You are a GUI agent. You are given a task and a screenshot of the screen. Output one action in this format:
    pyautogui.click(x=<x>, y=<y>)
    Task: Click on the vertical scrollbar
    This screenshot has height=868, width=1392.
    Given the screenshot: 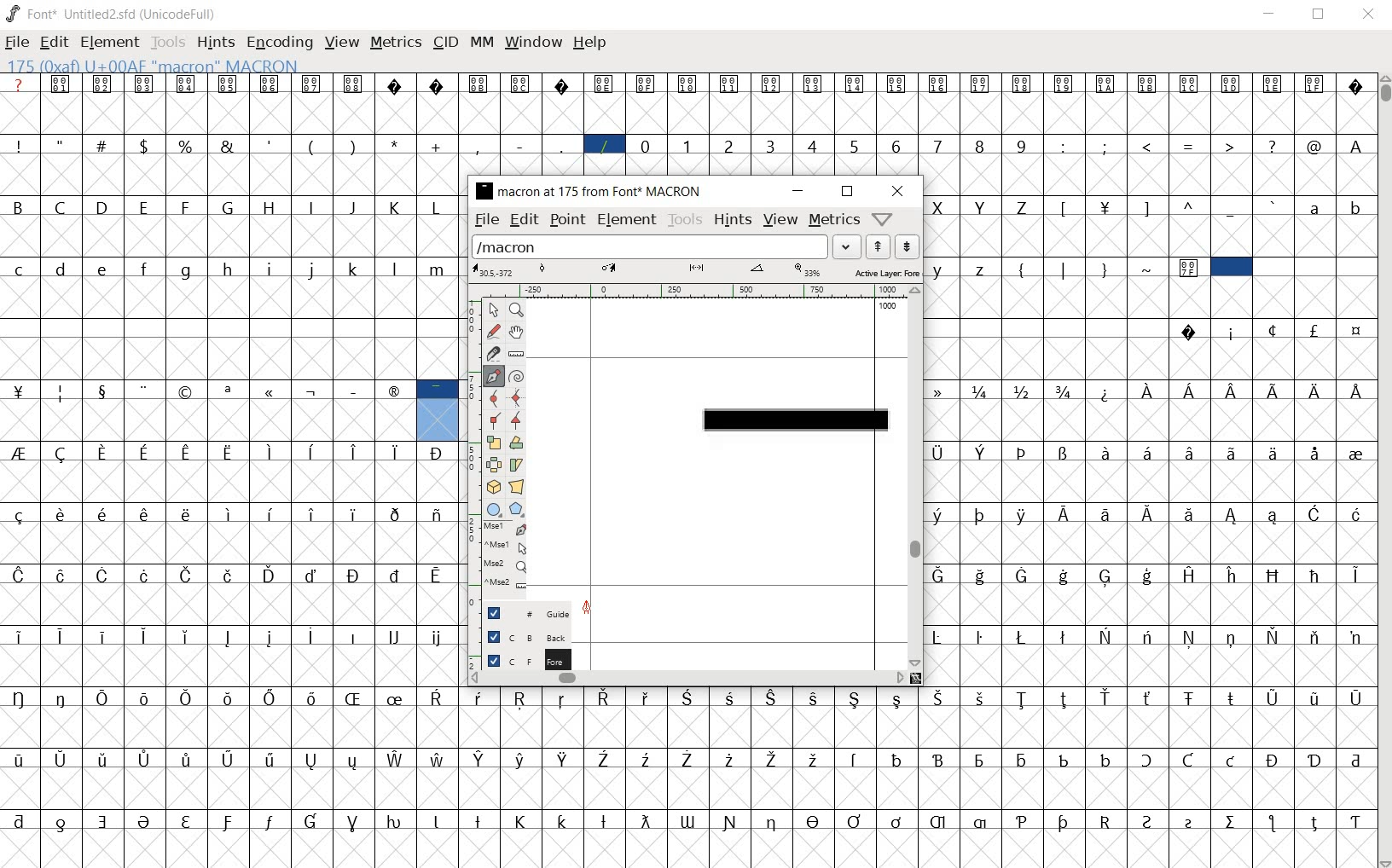 What is the action you would take?
    pyautogui.click(x=912, y=476)
    